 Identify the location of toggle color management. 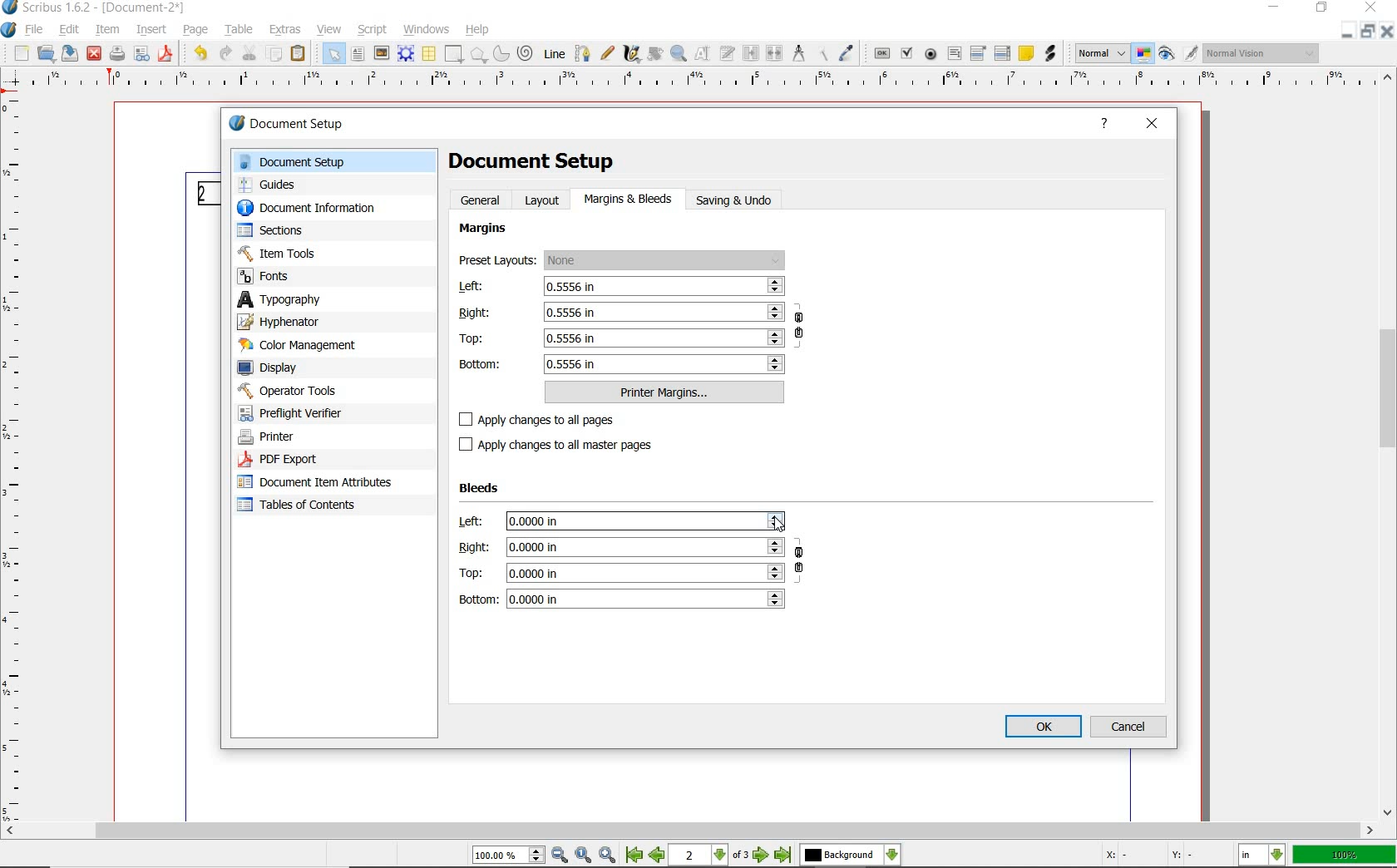
(1144, 56).